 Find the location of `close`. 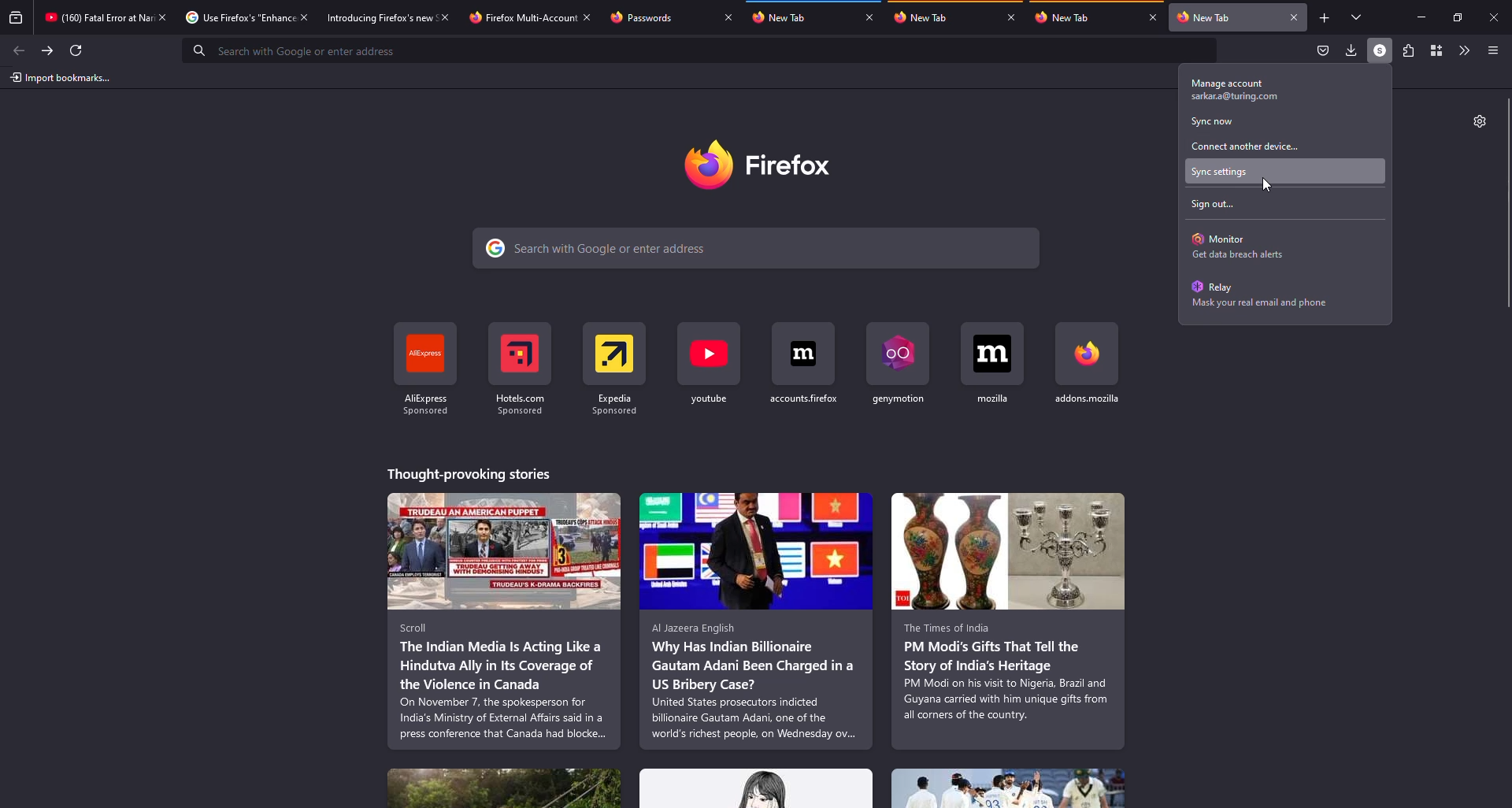

close is located at coordinates (445, 17).